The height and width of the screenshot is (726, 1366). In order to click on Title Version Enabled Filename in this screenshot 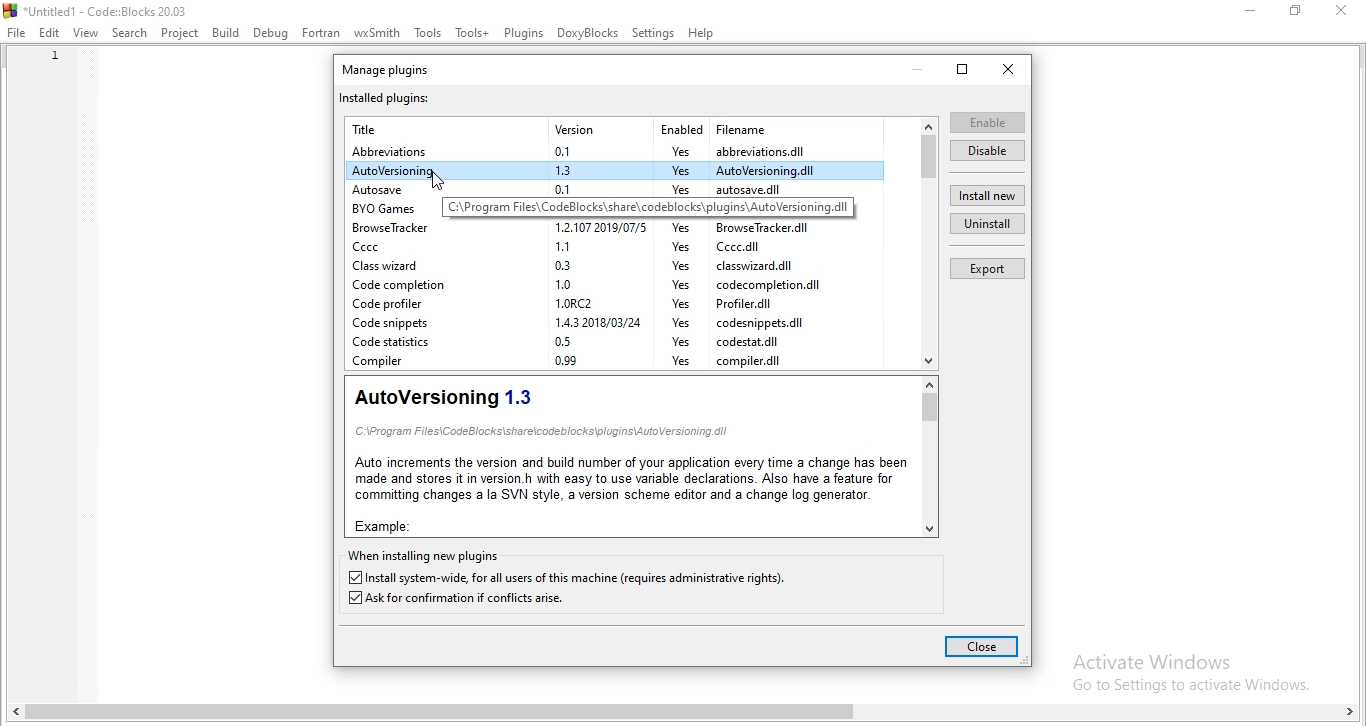, I will do `click(572, 129)`.